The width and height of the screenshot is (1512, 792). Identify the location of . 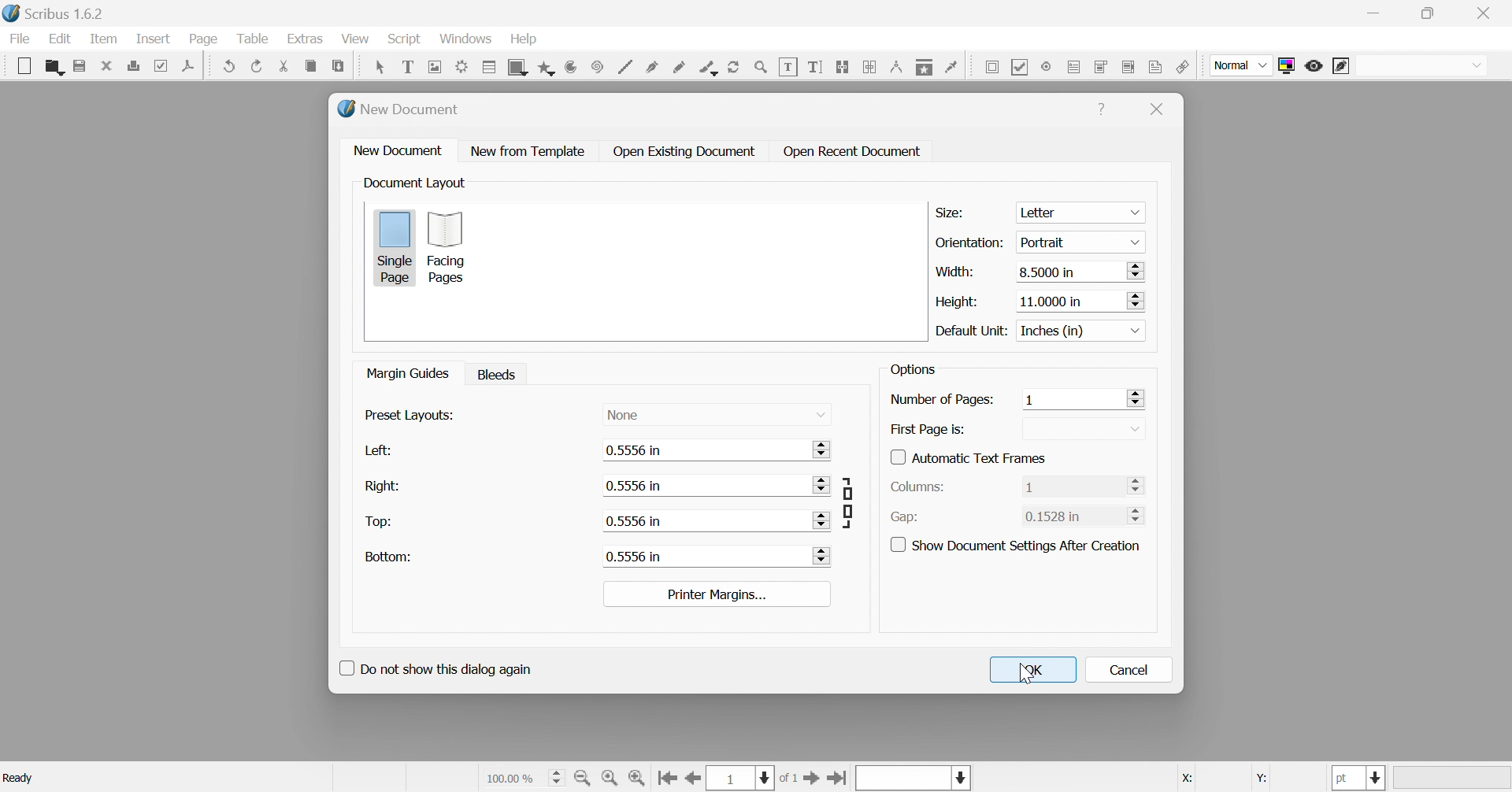
(678, 150).